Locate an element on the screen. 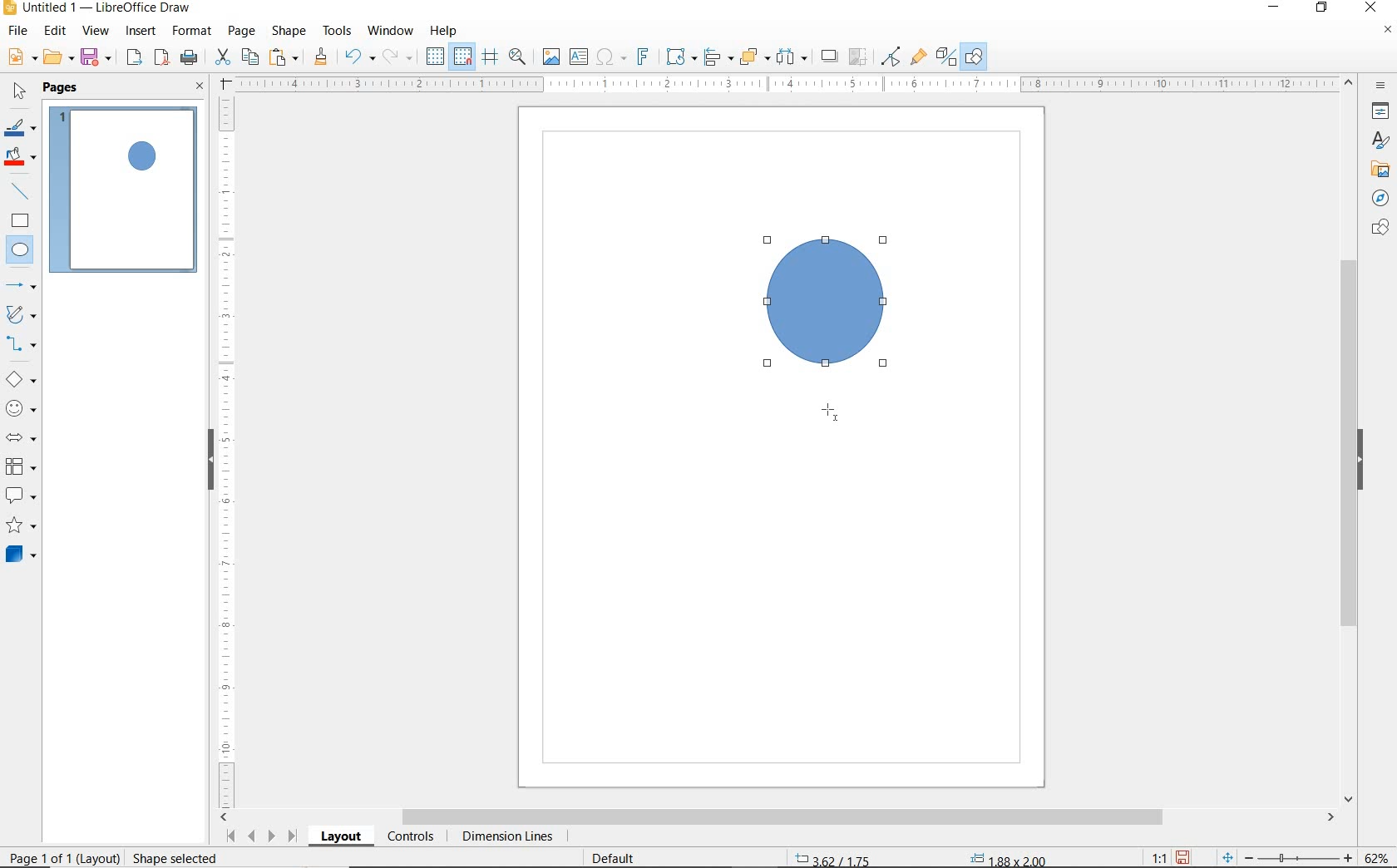 This screenshot has height=868, width=1397. ELLIPSE TOOL is located at coordinates (827, 415).